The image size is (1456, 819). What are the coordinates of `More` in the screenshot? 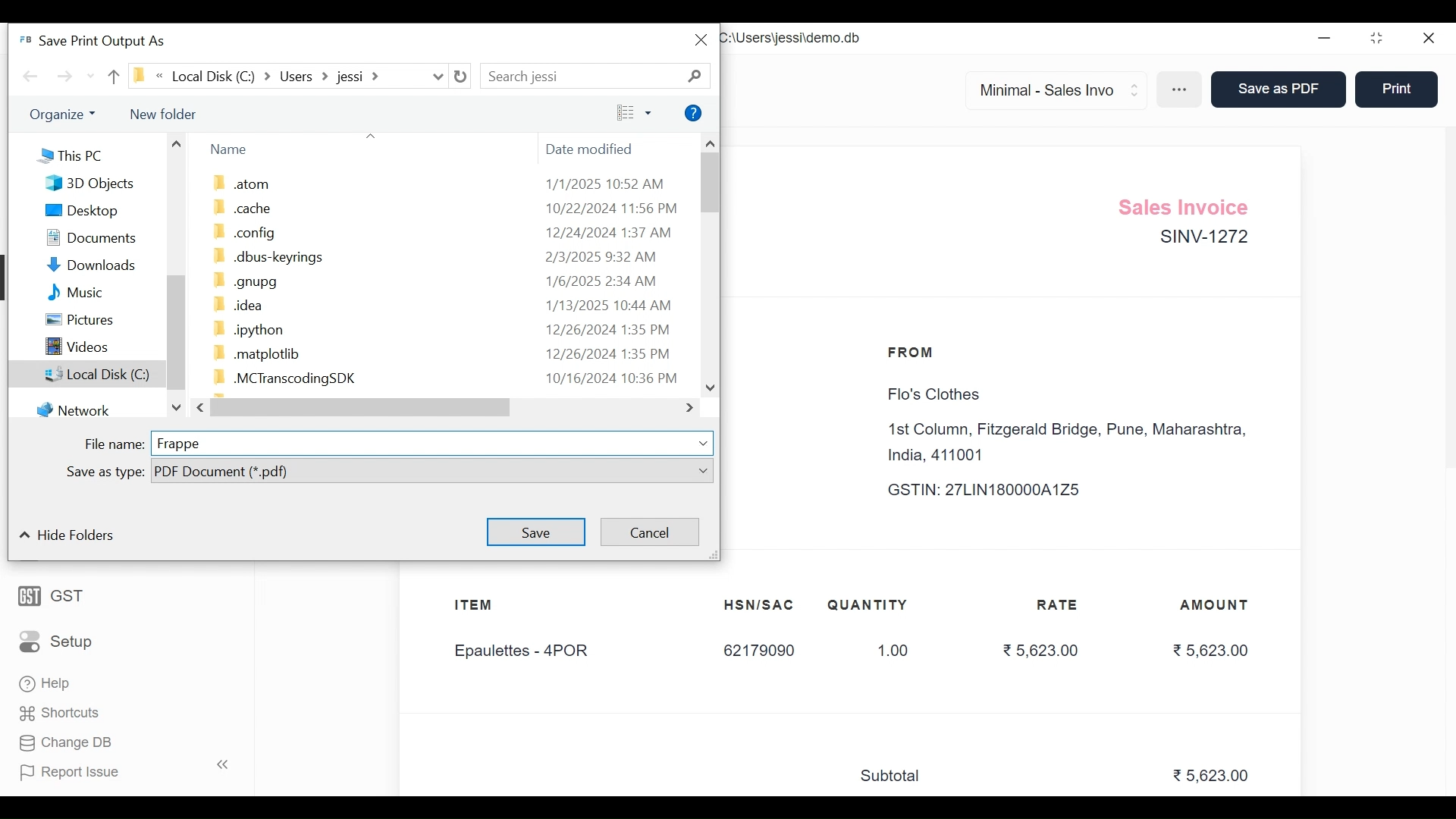 It's located at (1181, 91).